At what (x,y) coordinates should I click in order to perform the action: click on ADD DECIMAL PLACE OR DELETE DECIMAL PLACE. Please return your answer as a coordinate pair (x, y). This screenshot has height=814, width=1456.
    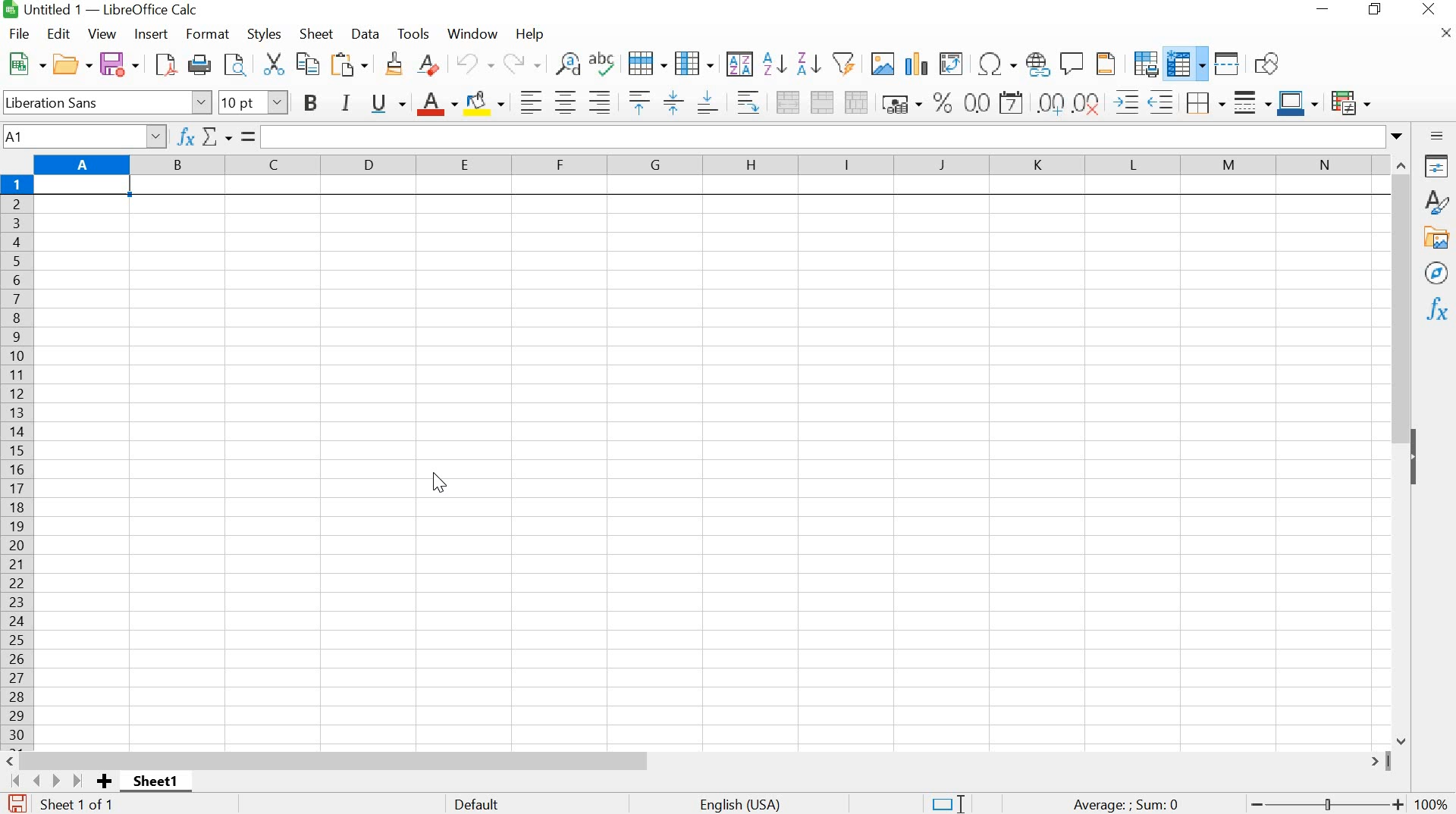
    Looking at the image, I should click on (1071, 101).